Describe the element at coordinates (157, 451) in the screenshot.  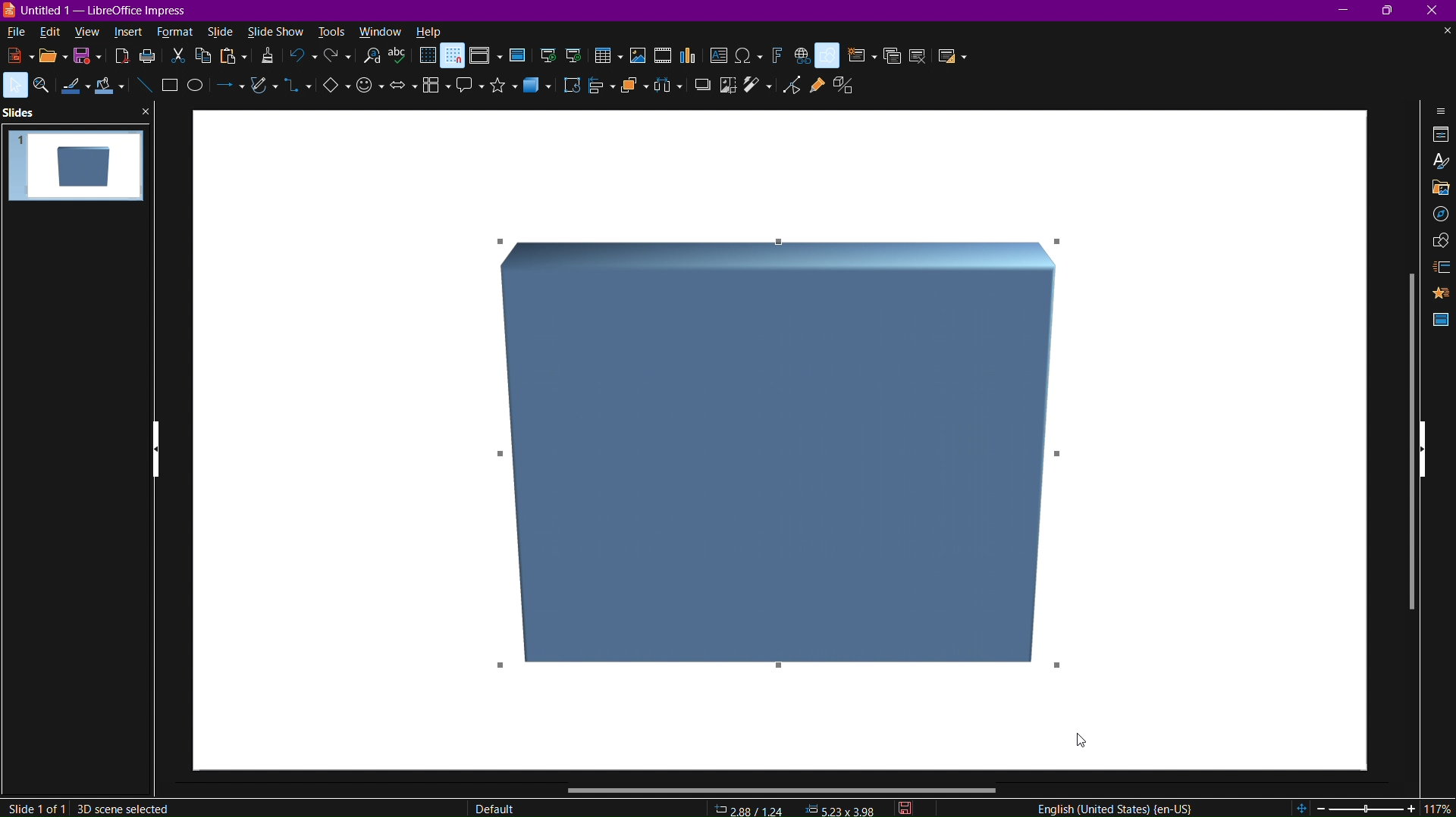
I see `Show` at that location.